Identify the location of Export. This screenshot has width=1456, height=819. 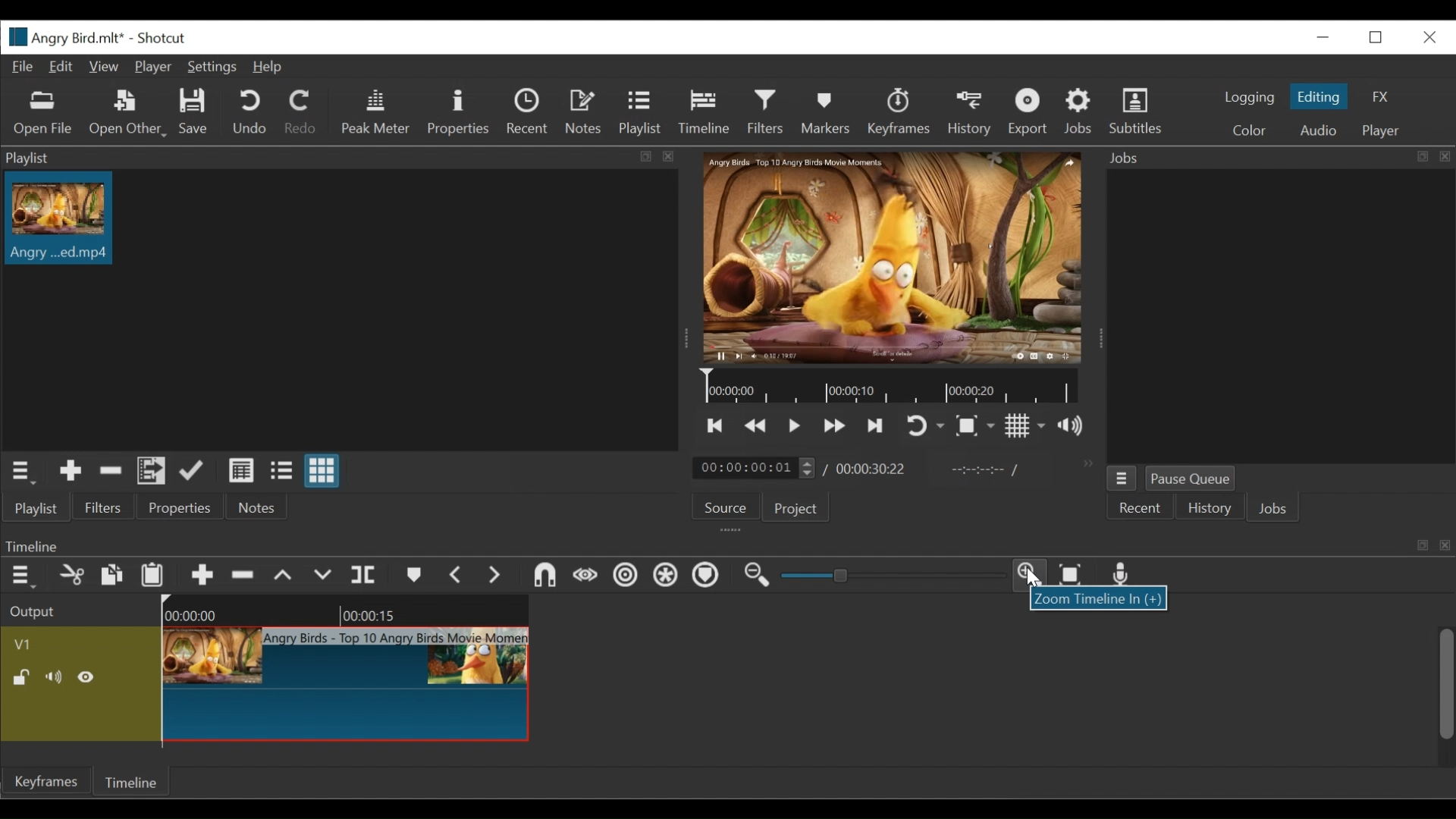
(1028, 114).